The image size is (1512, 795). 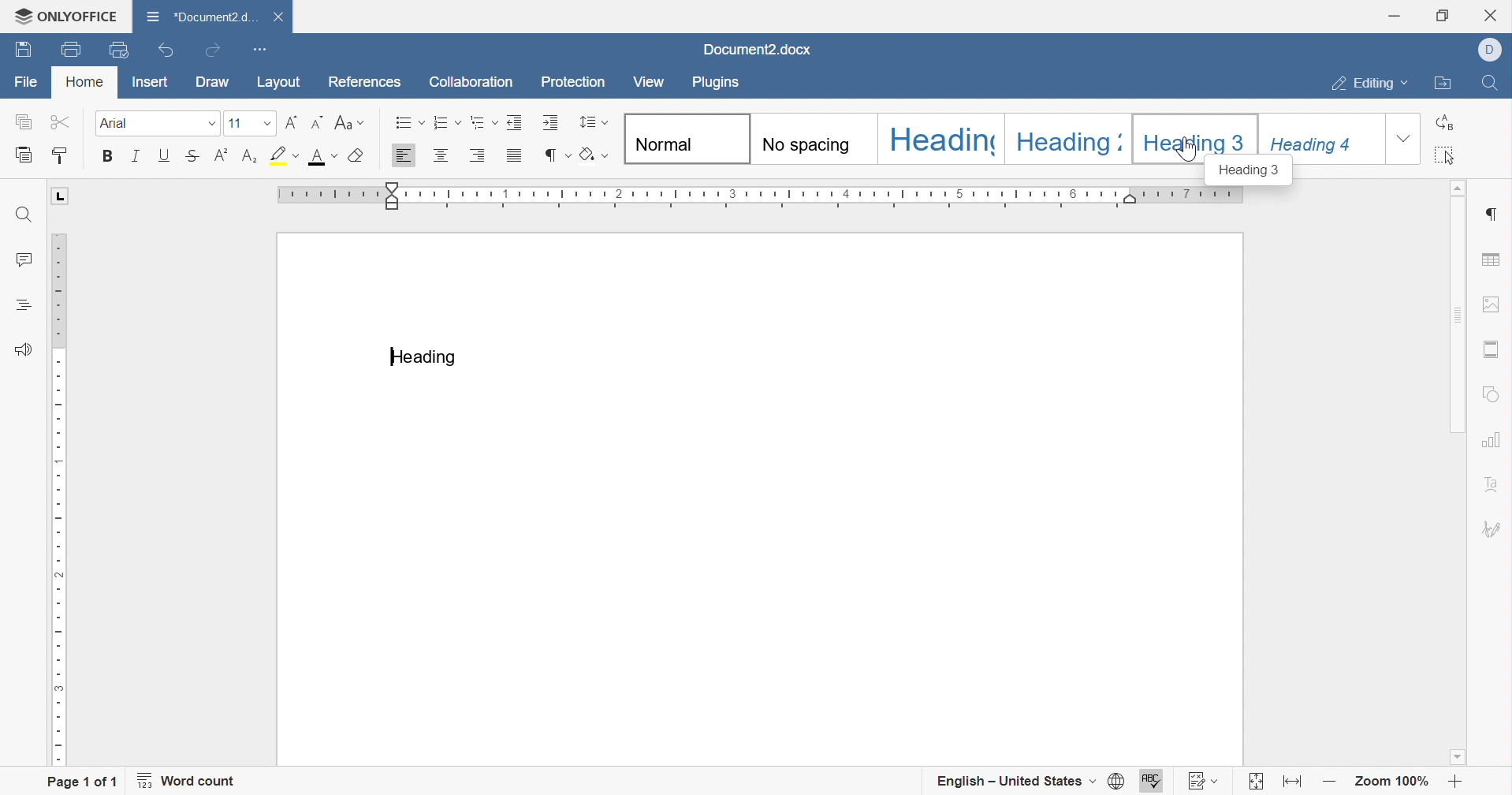 What do you see at coordinates (1257, 782) in the screenshot?
I see `Fit to slide` at bounding box center [1257, 782].